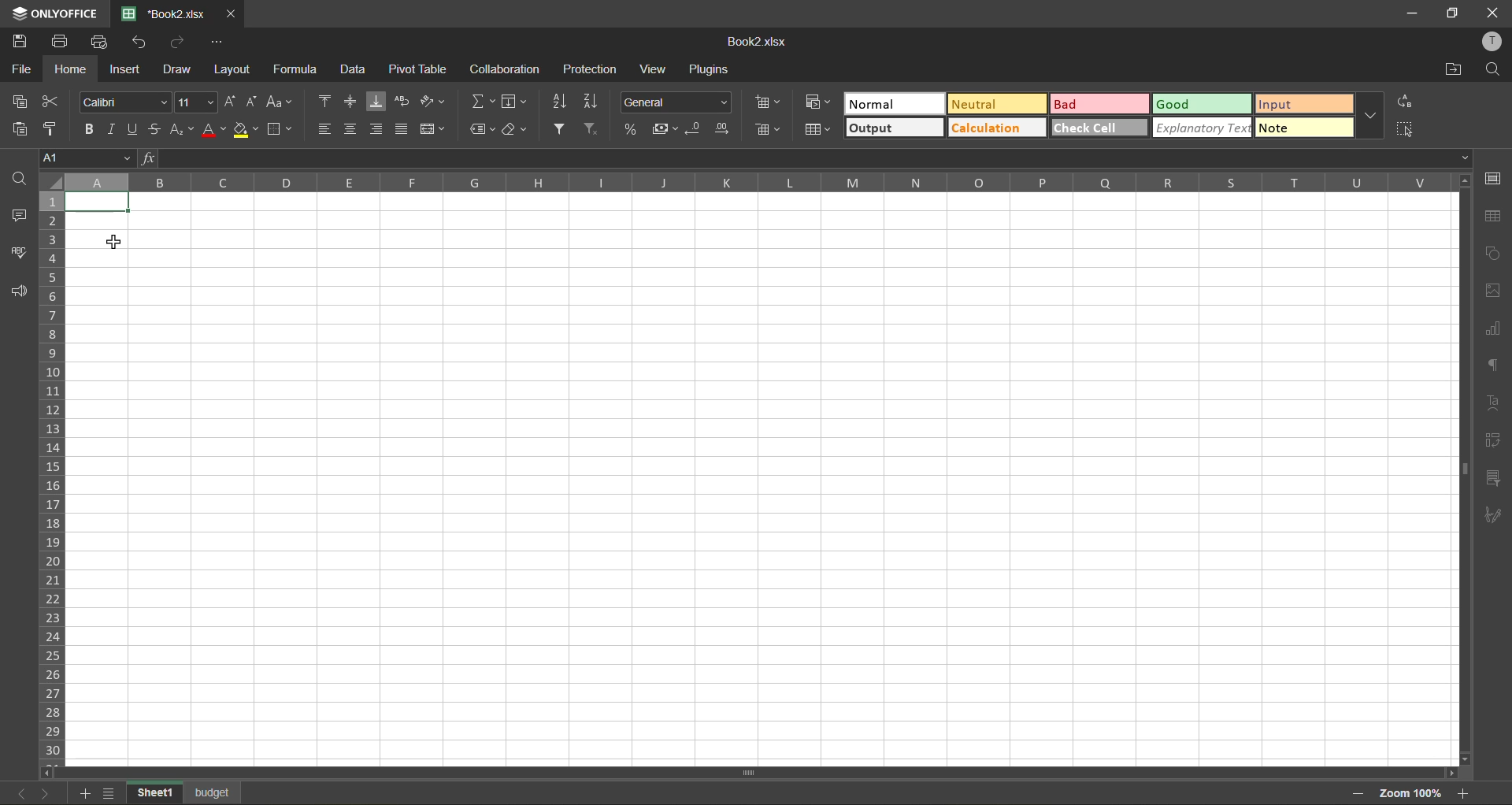  I want to click on shapes, so click(1494, 254).